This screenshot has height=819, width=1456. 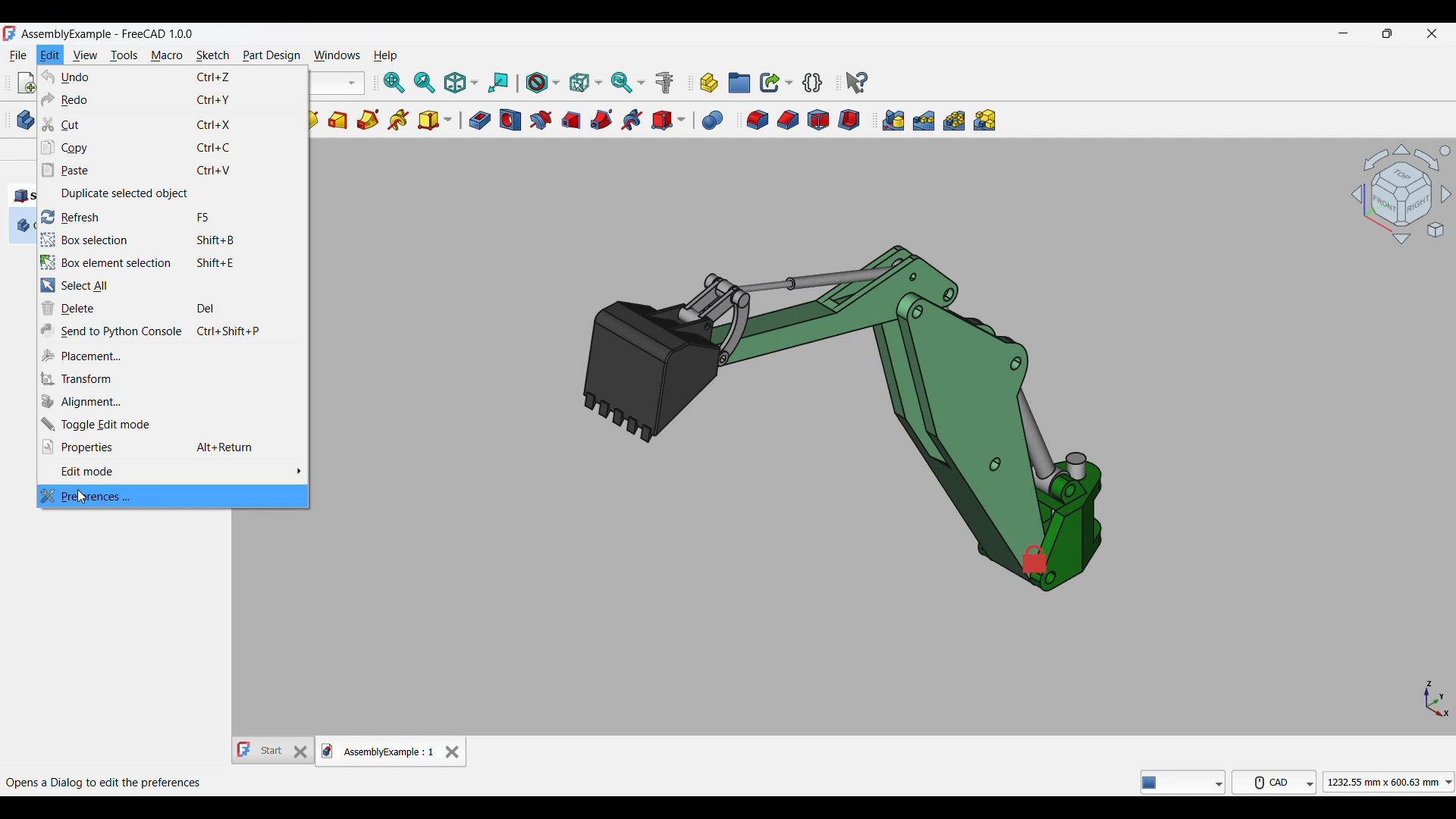 I want to click on Create part, so click(x=710, y=83).